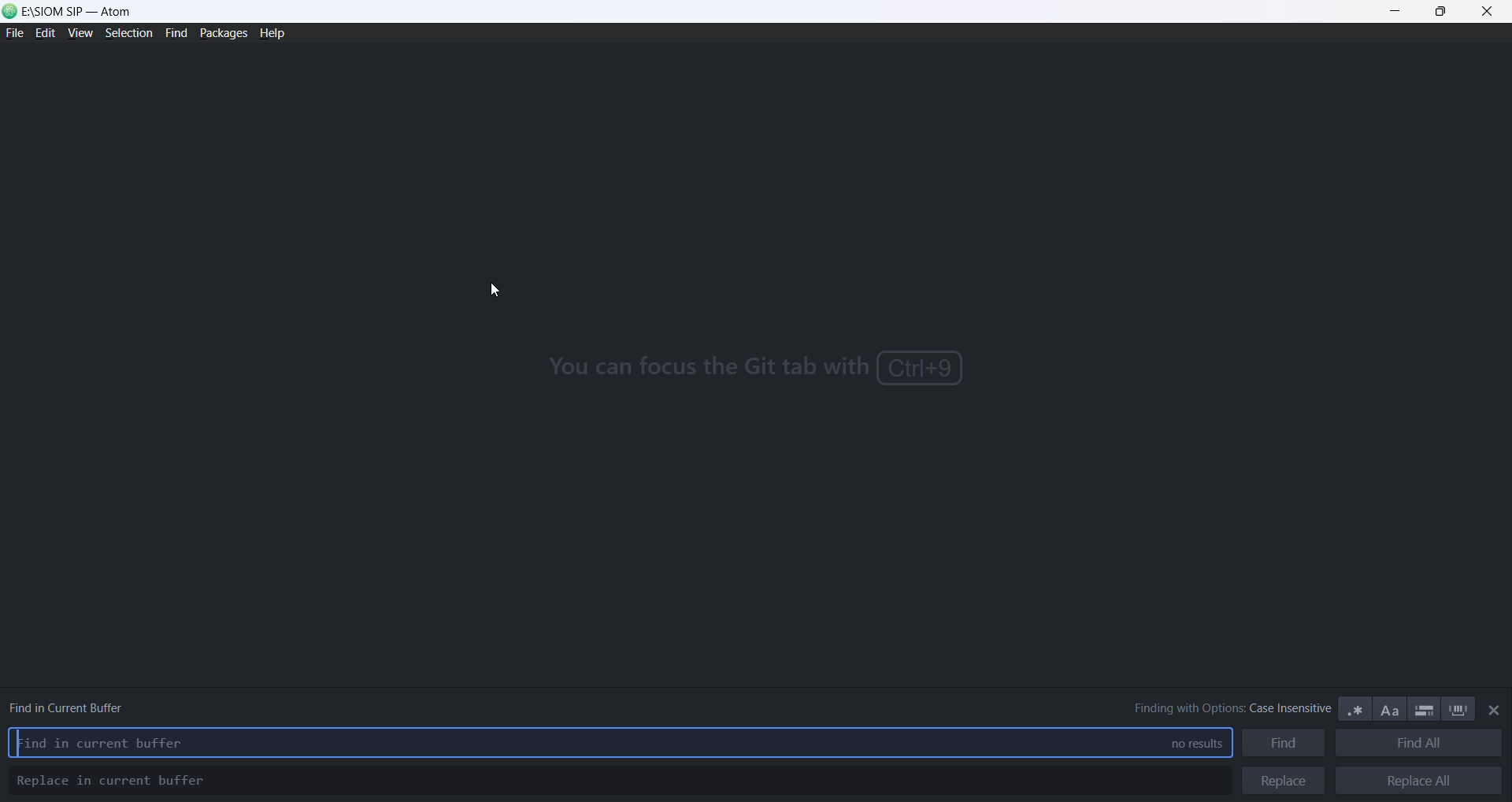  I want to click on file, so click(14, 35).